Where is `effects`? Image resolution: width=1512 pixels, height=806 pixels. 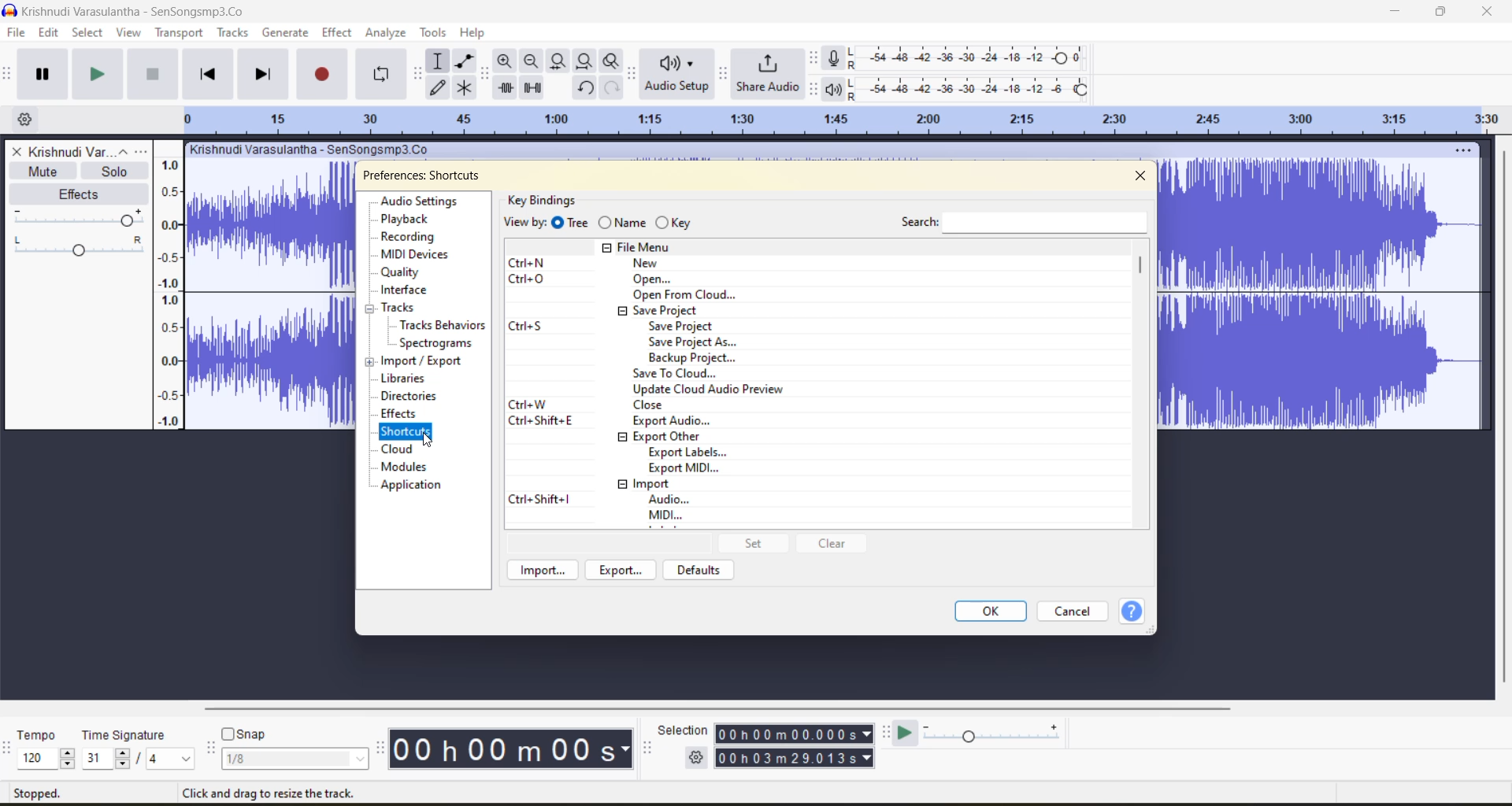 effects is located at coordinates (413, 415).